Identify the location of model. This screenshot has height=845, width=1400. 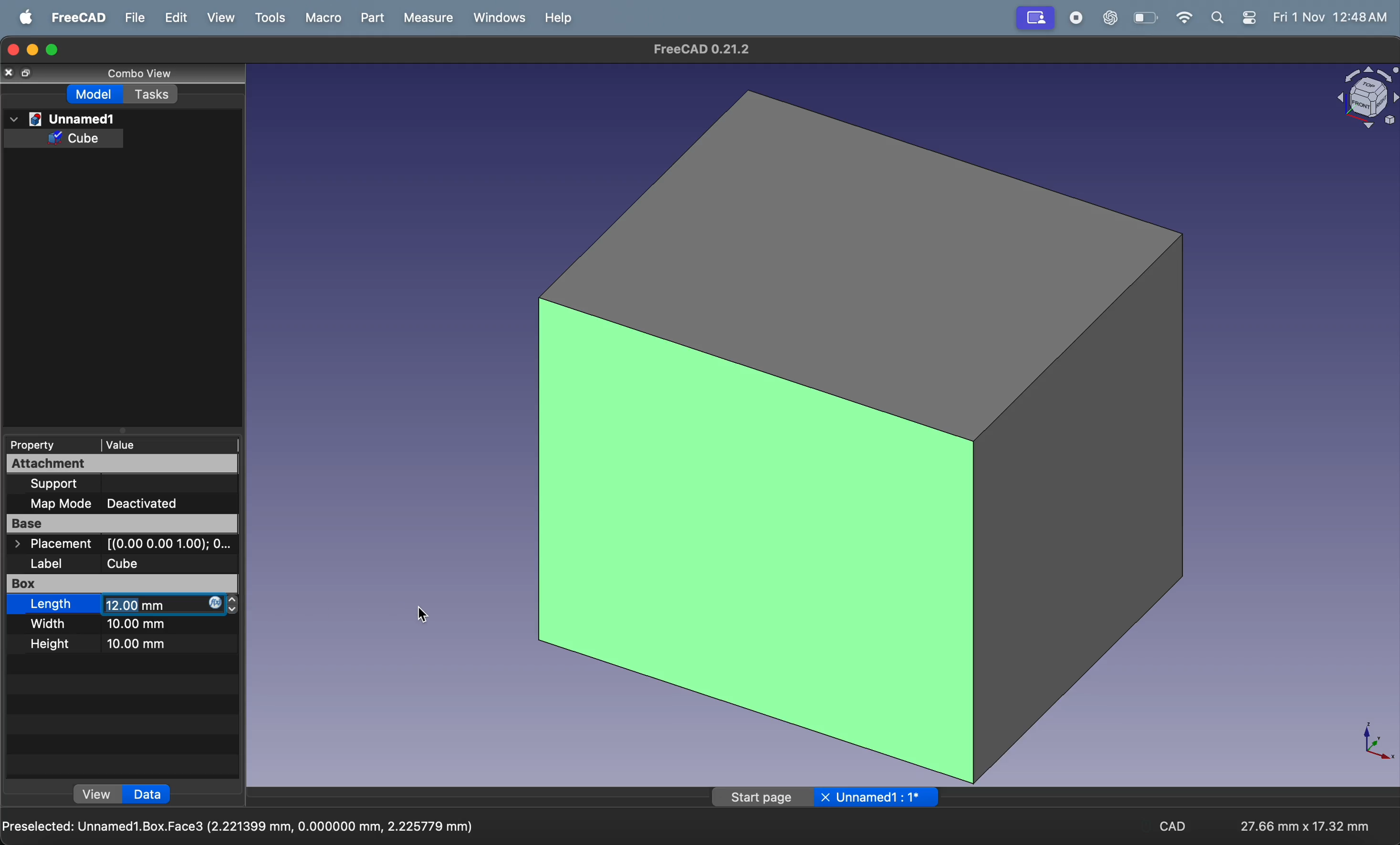
(97, 95).